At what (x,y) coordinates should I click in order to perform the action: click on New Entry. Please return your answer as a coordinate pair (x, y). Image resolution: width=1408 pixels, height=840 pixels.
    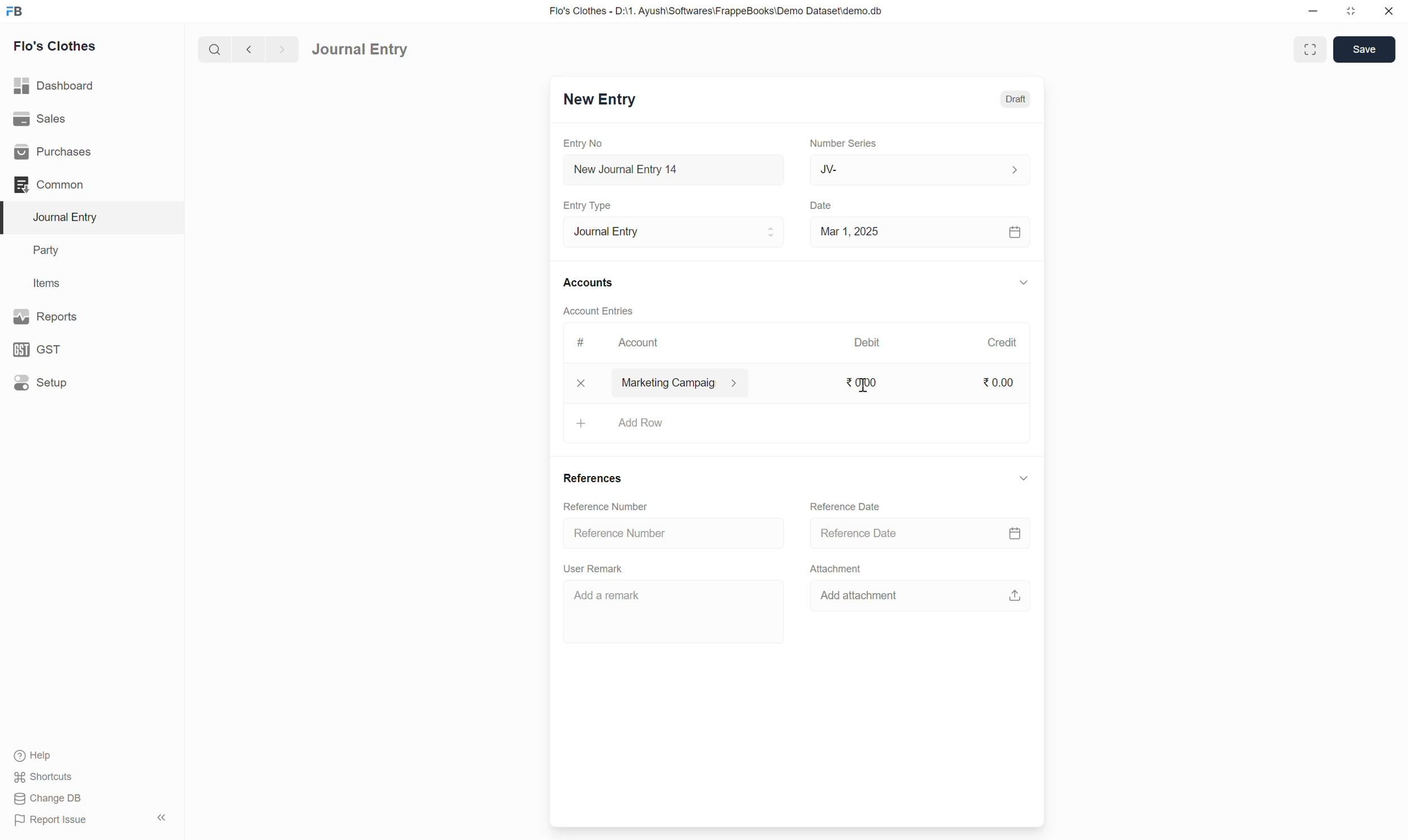
    Looking at the image, I should click on (600, 98).